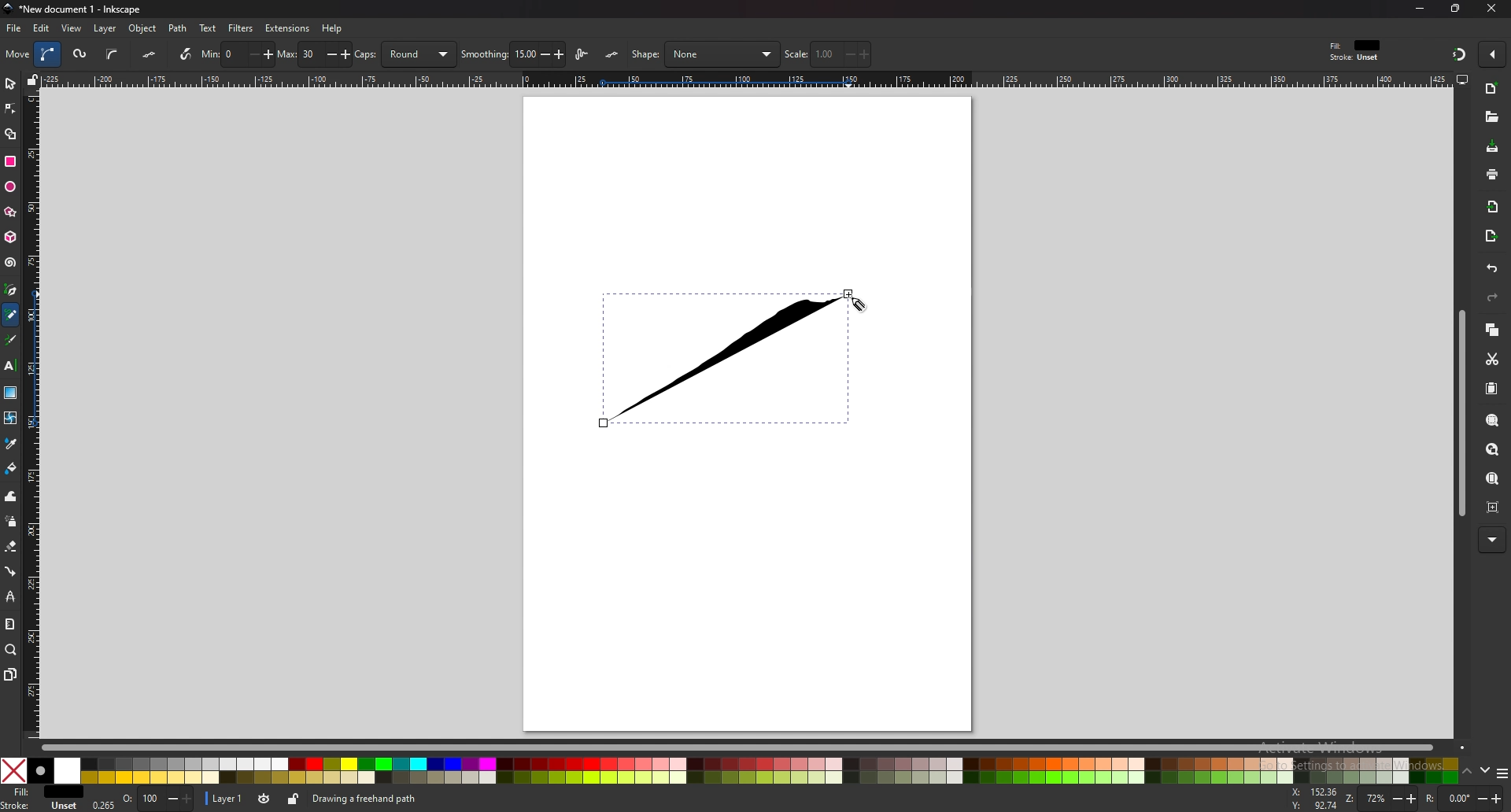  Describe the element at coordinates (240, 29) in the screenshot. I see `filters` at that location.